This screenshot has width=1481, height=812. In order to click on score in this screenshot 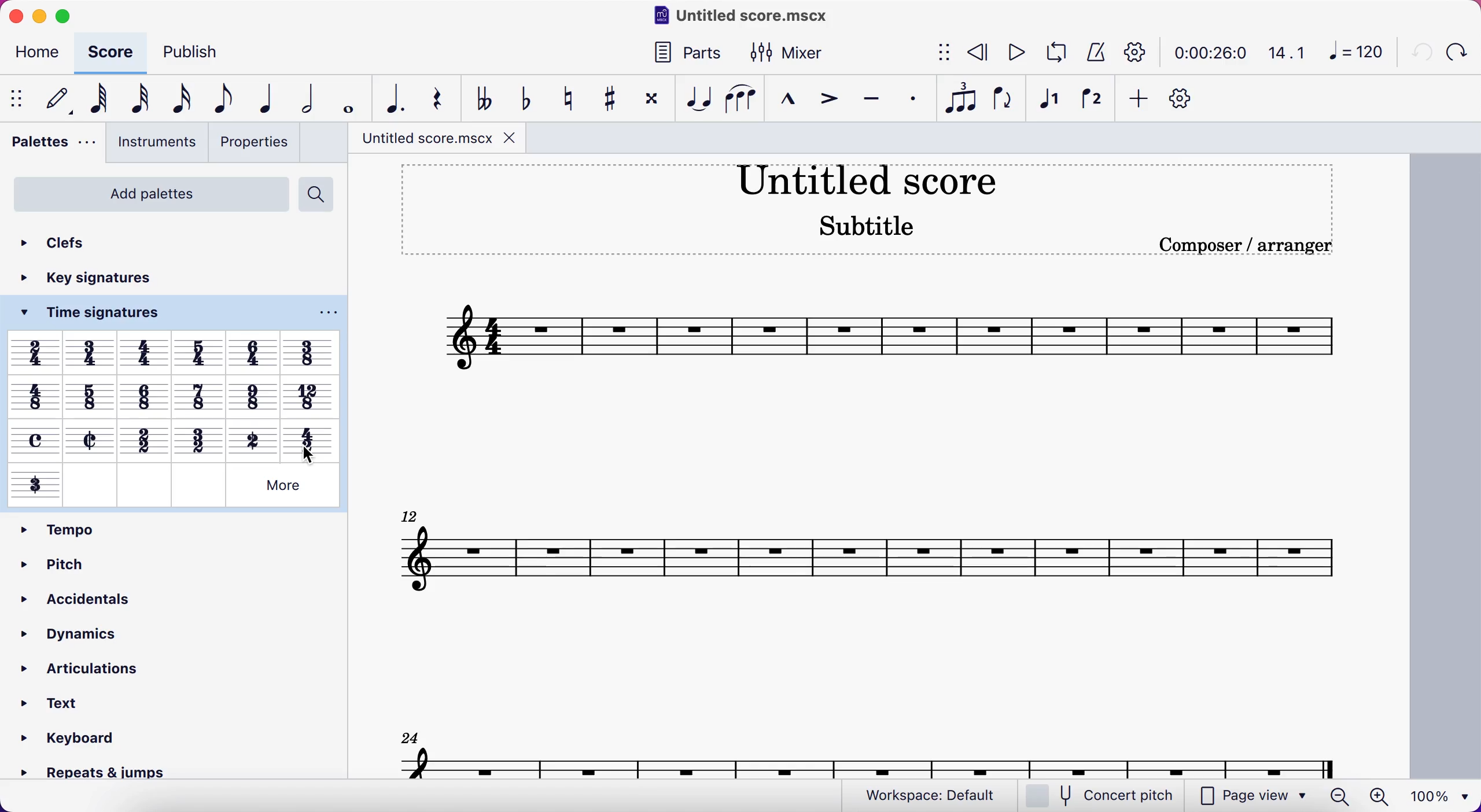, I will do `click(105, 53)`.